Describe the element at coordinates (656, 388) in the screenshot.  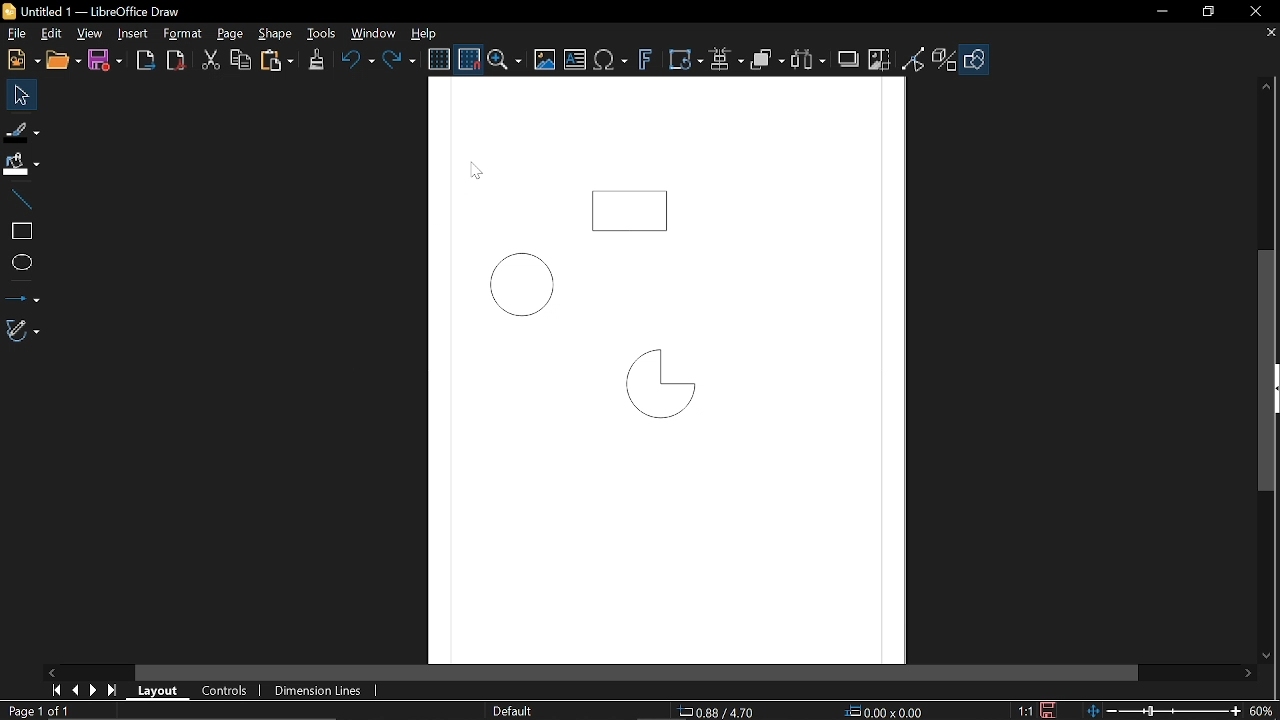
I see `Quarter Circle` at that location.